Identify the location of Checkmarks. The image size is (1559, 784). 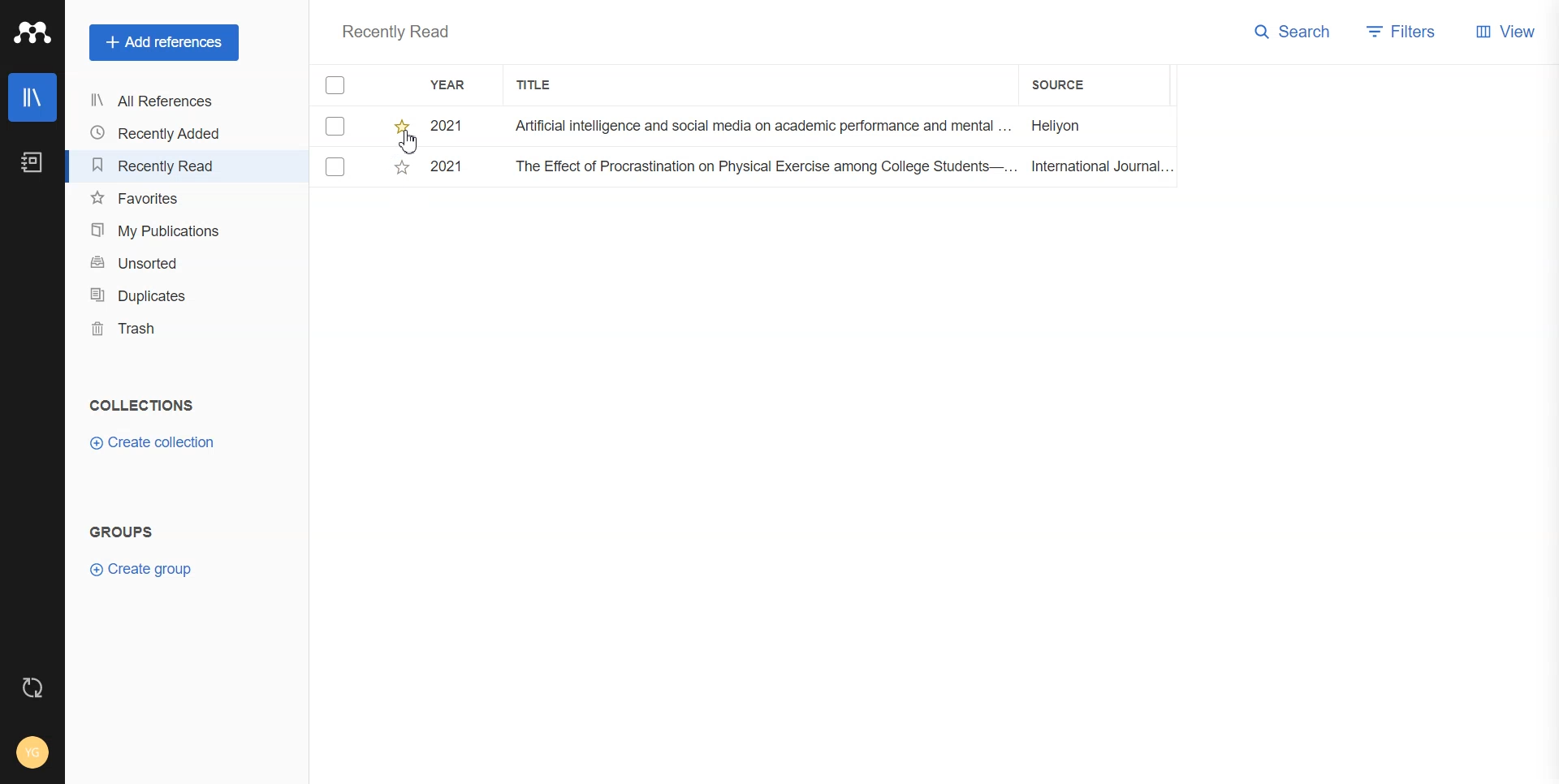
(337, 84).